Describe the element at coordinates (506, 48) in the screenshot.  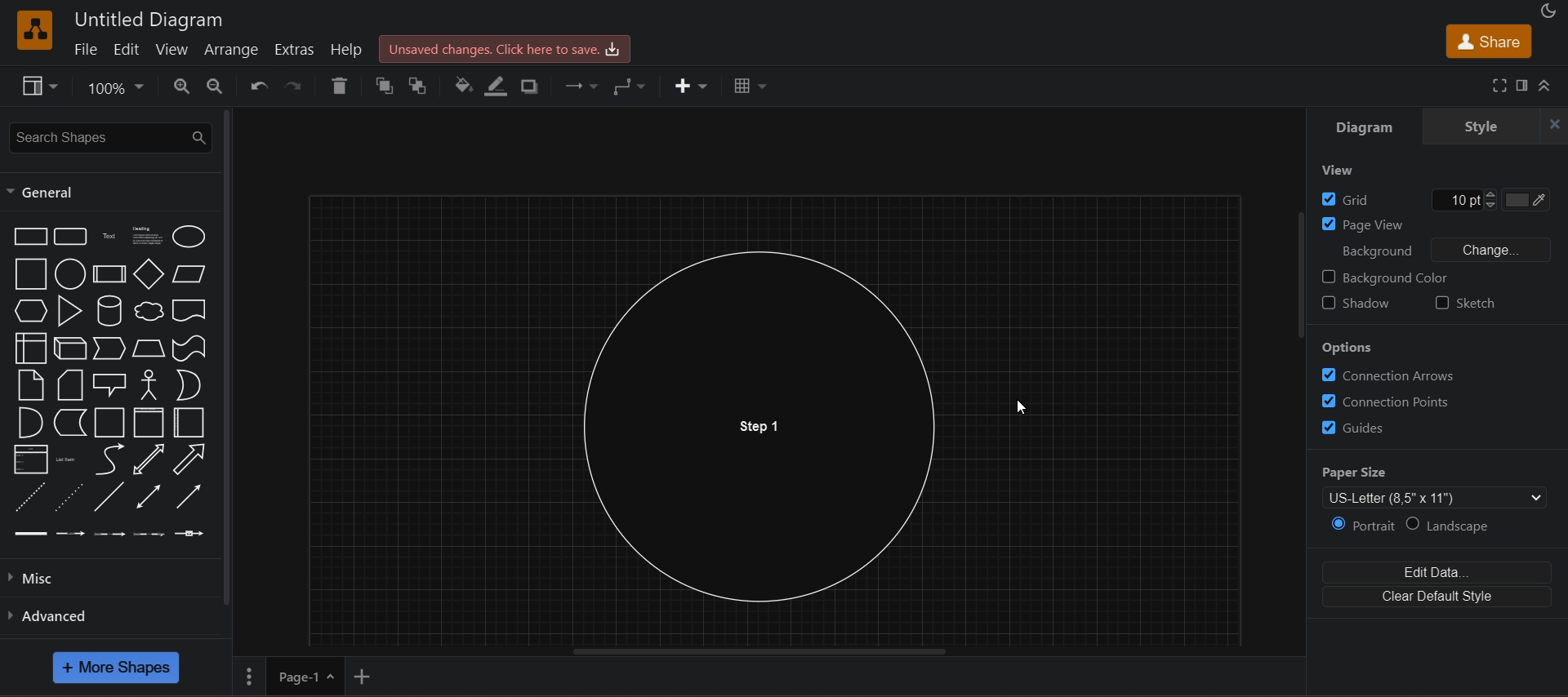
I see `click here to save` at that location.